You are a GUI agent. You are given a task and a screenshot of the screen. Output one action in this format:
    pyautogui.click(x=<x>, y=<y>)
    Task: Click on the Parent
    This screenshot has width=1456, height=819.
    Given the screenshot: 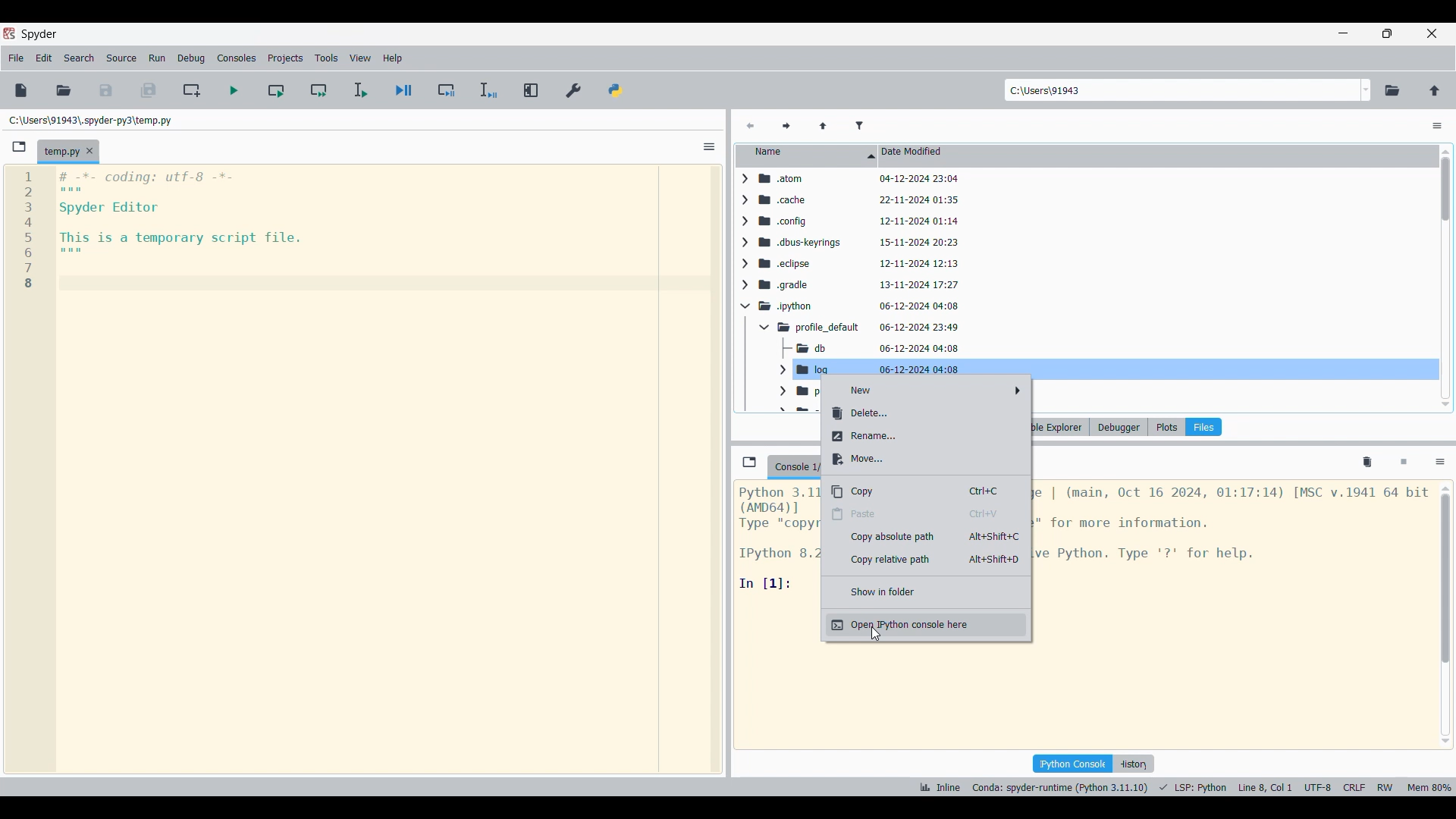 What is the action you would take?
    pyautogui.click(x=824, y=127)
    